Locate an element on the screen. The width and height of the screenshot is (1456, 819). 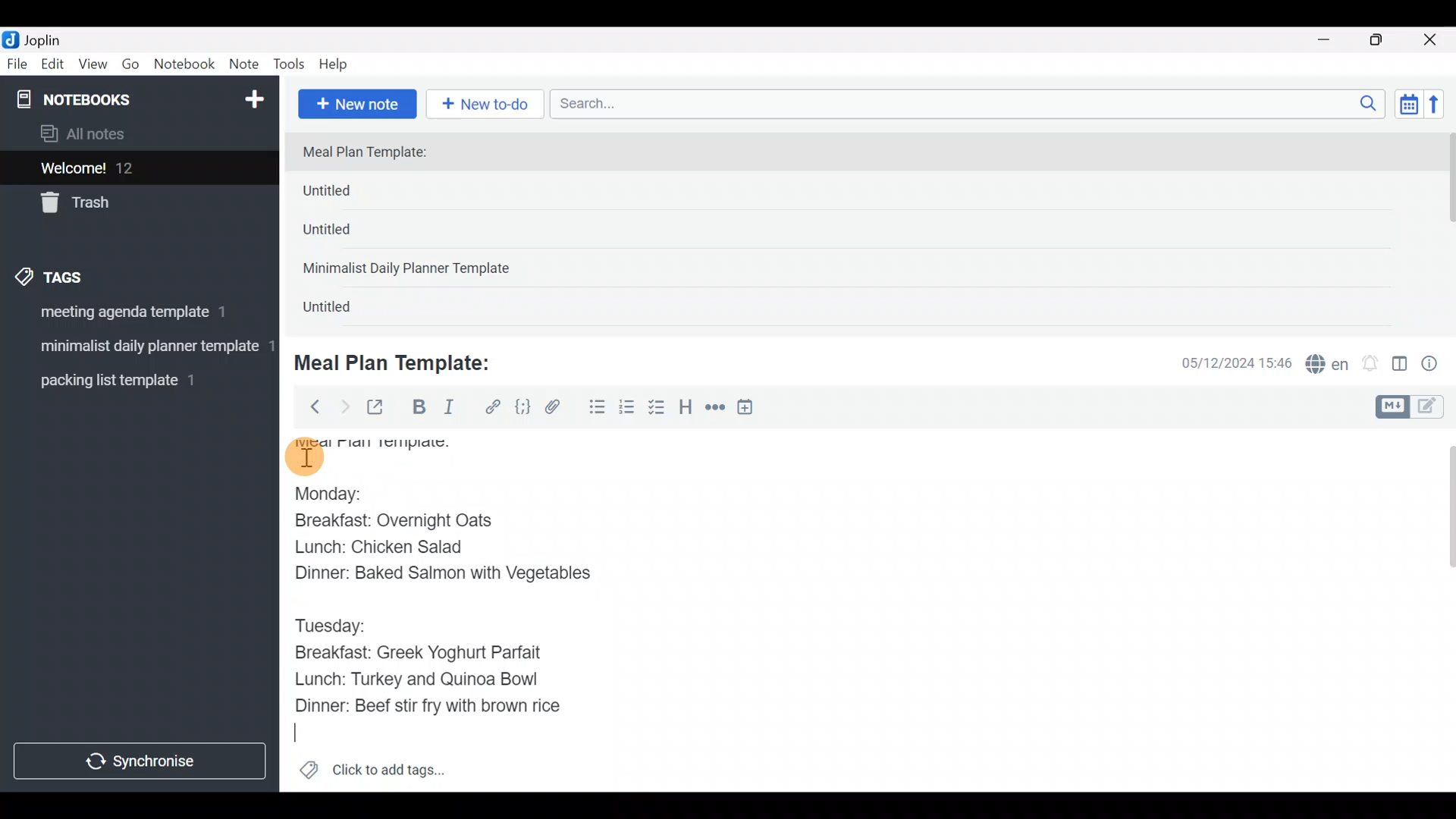
Code is located at coordinates (521, 406).